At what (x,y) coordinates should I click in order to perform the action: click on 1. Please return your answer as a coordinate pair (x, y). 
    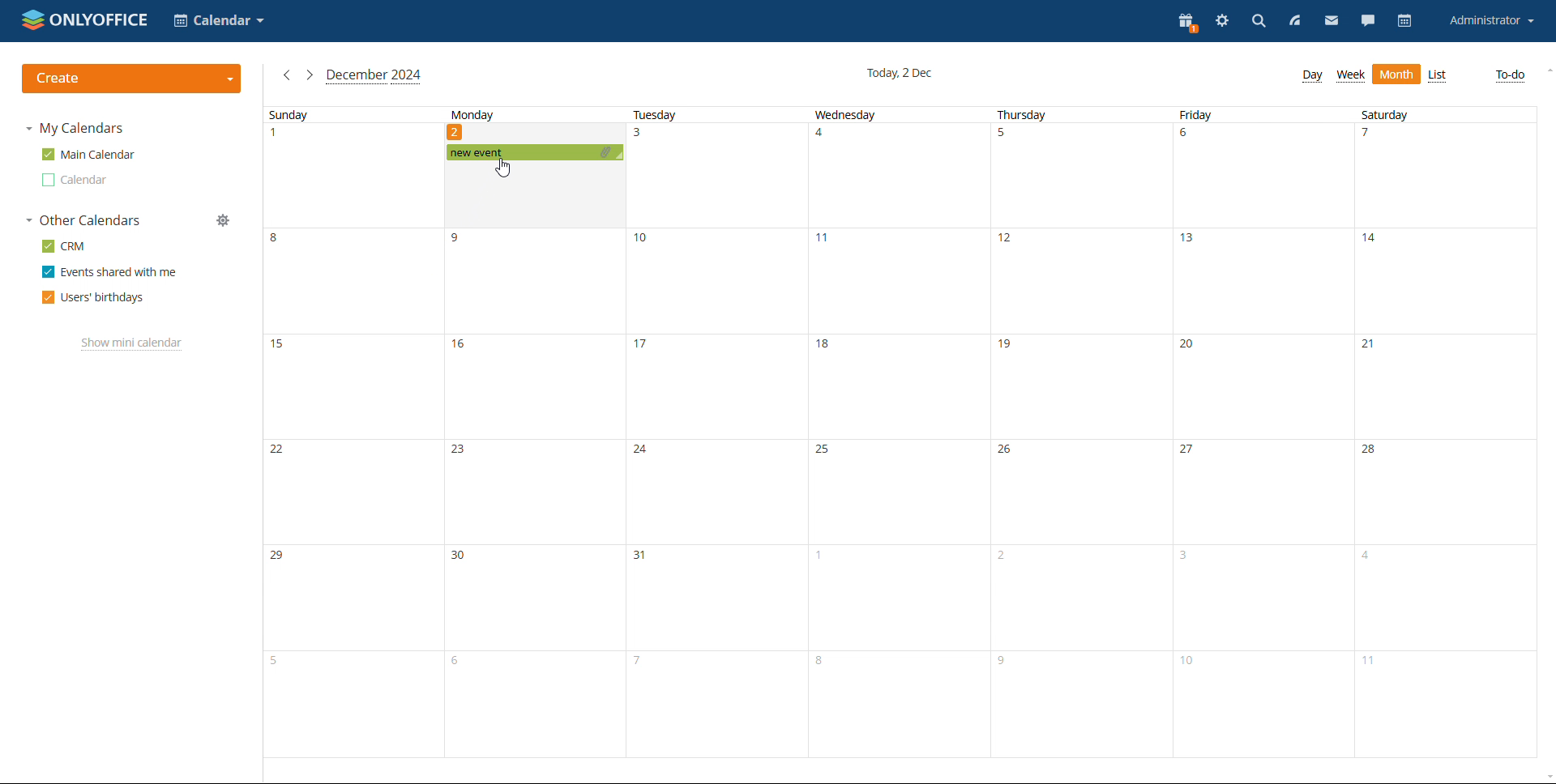
    Looking at the image, I should click on (278, 138).